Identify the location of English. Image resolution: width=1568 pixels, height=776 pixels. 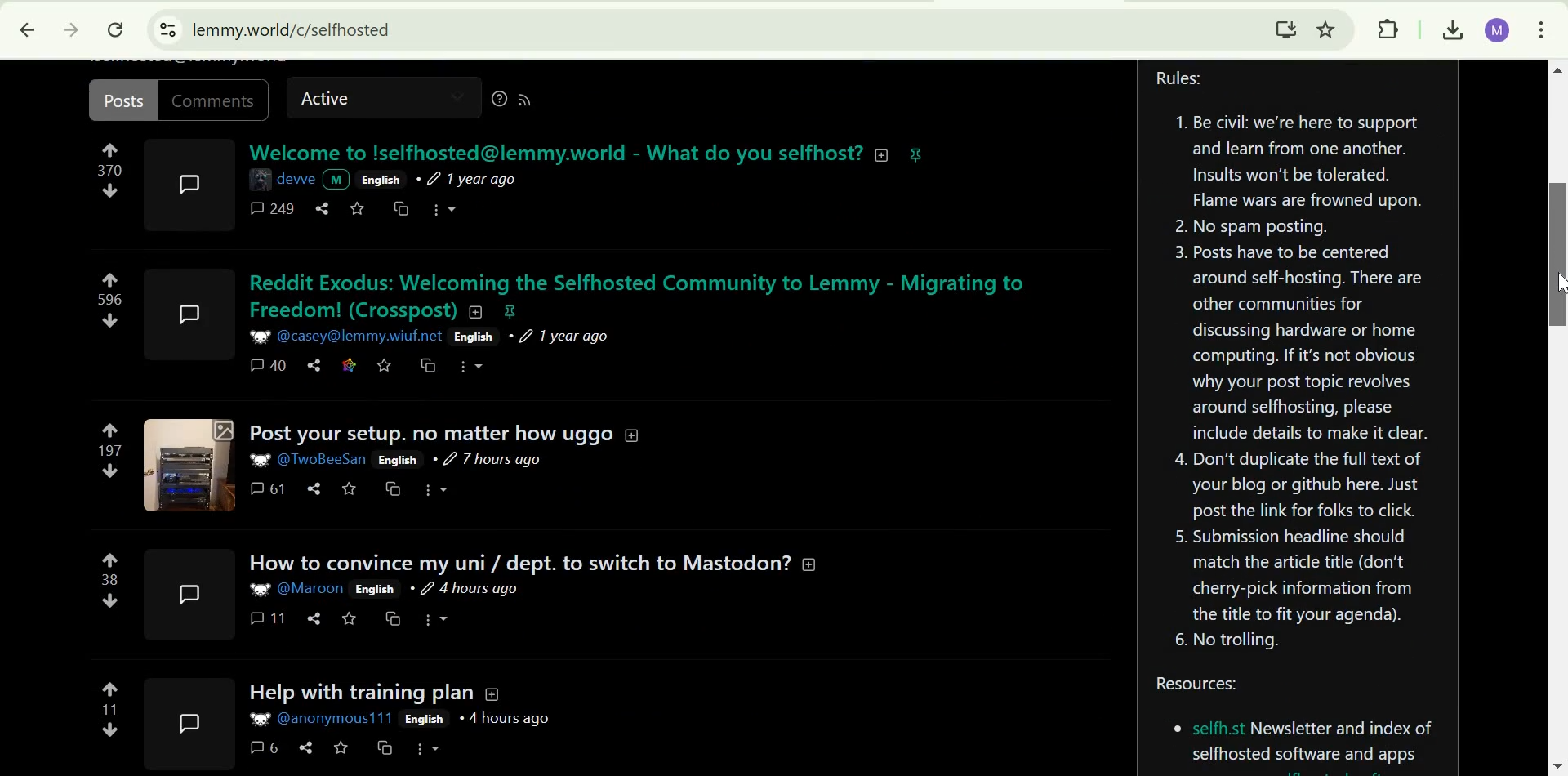
(399, 460).